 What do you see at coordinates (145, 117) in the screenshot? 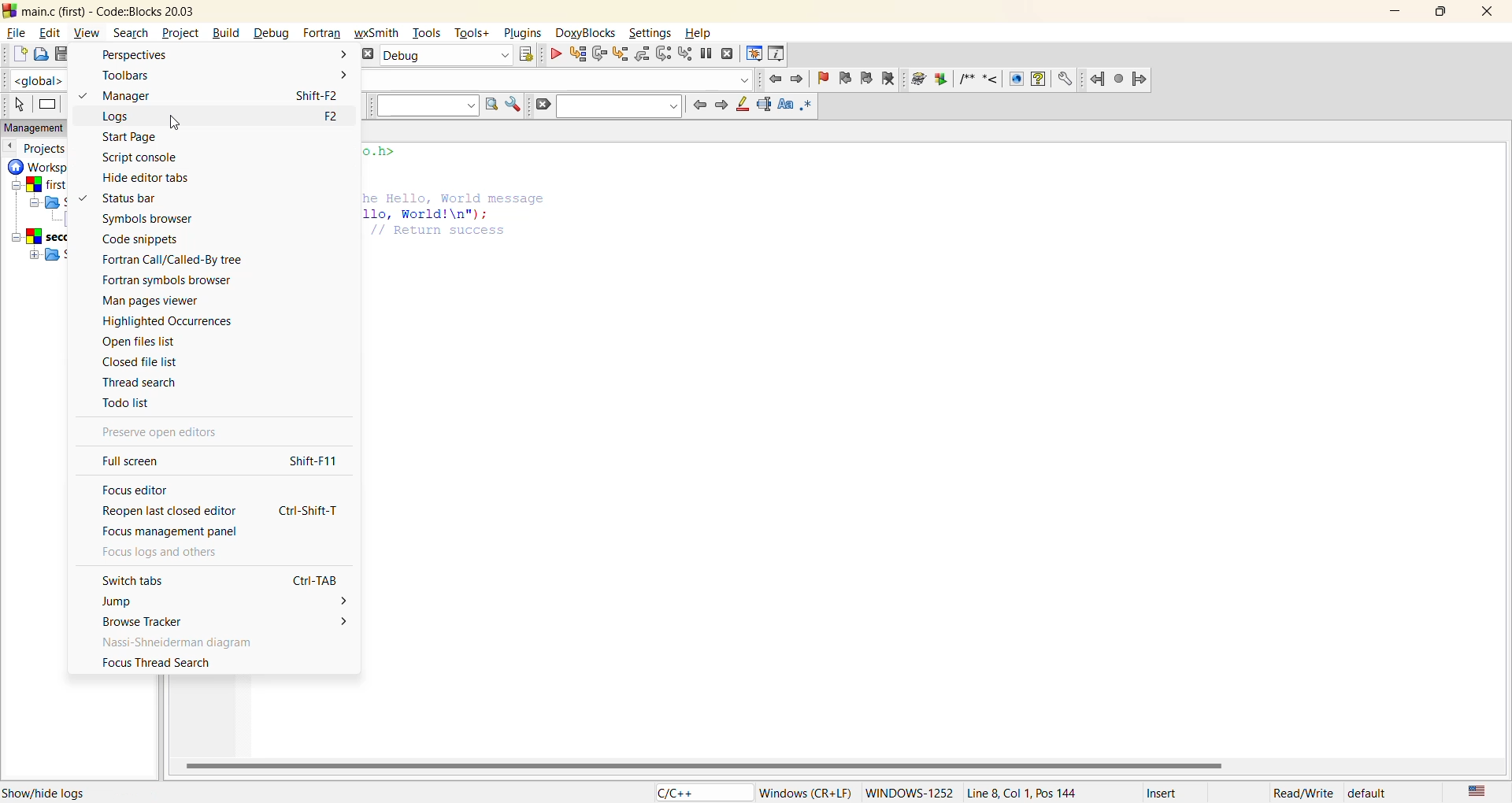
I see `logs` at bounding box center [145, 117].